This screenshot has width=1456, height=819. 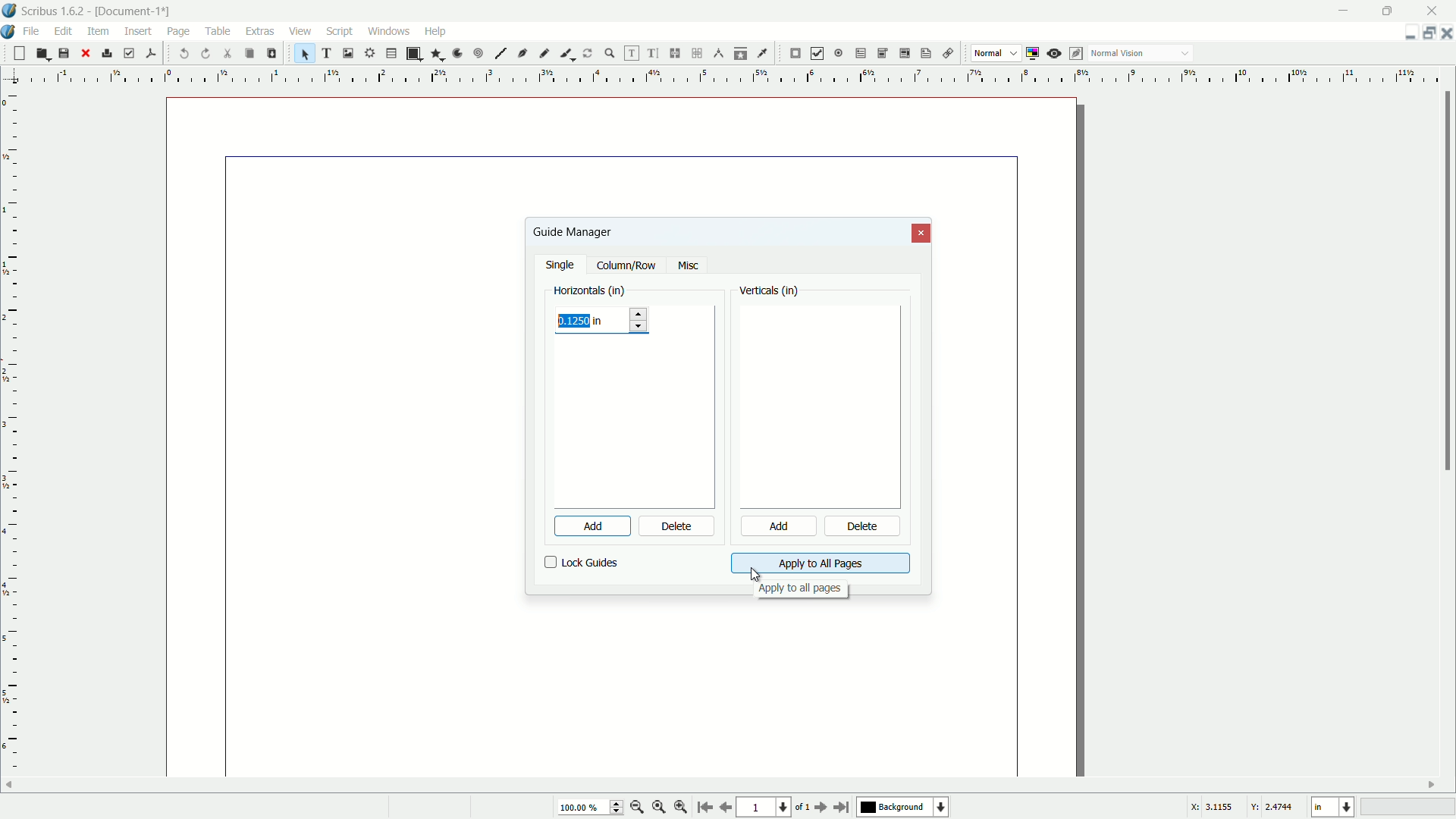 I want to click on maximize, so click(x=1390, y=10).